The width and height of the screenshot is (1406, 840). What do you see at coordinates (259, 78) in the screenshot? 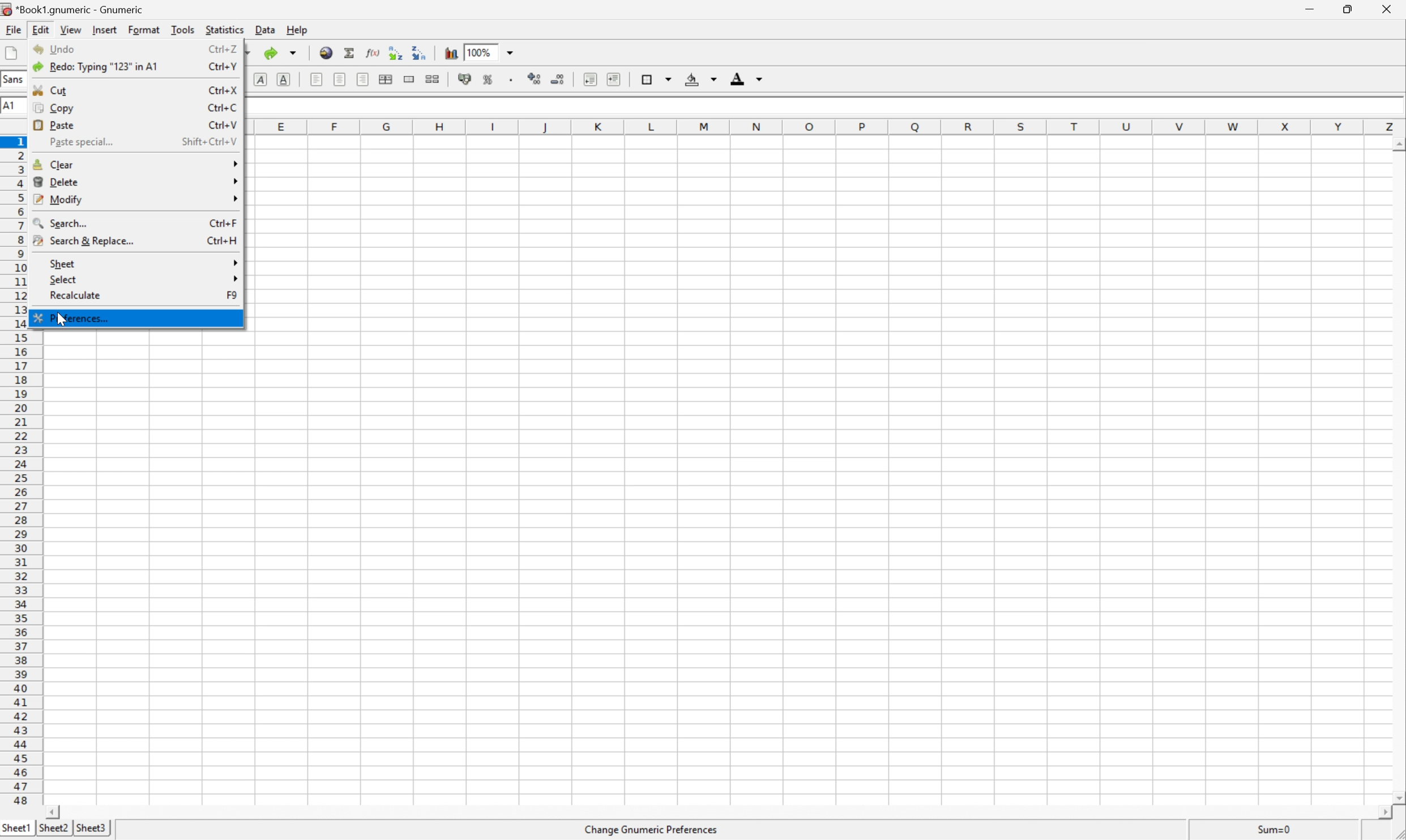
I see `italic` at bounding box center [259, 78].